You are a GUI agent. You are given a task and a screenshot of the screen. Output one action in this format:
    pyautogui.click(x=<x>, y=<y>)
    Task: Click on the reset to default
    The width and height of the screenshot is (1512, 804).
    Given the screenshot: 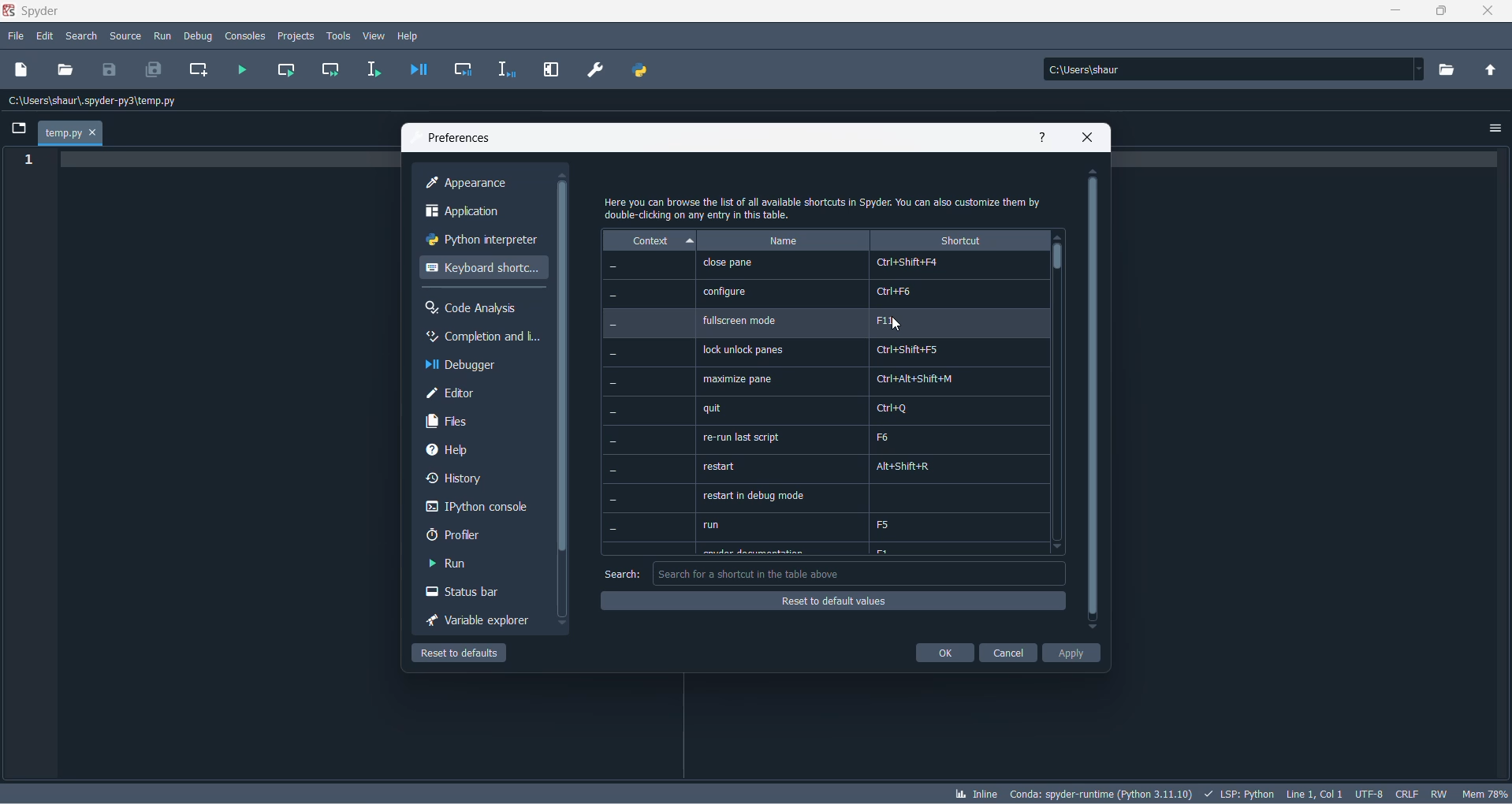 What is the action you would take?
    pyautogui.click(x=464, y=655)
    